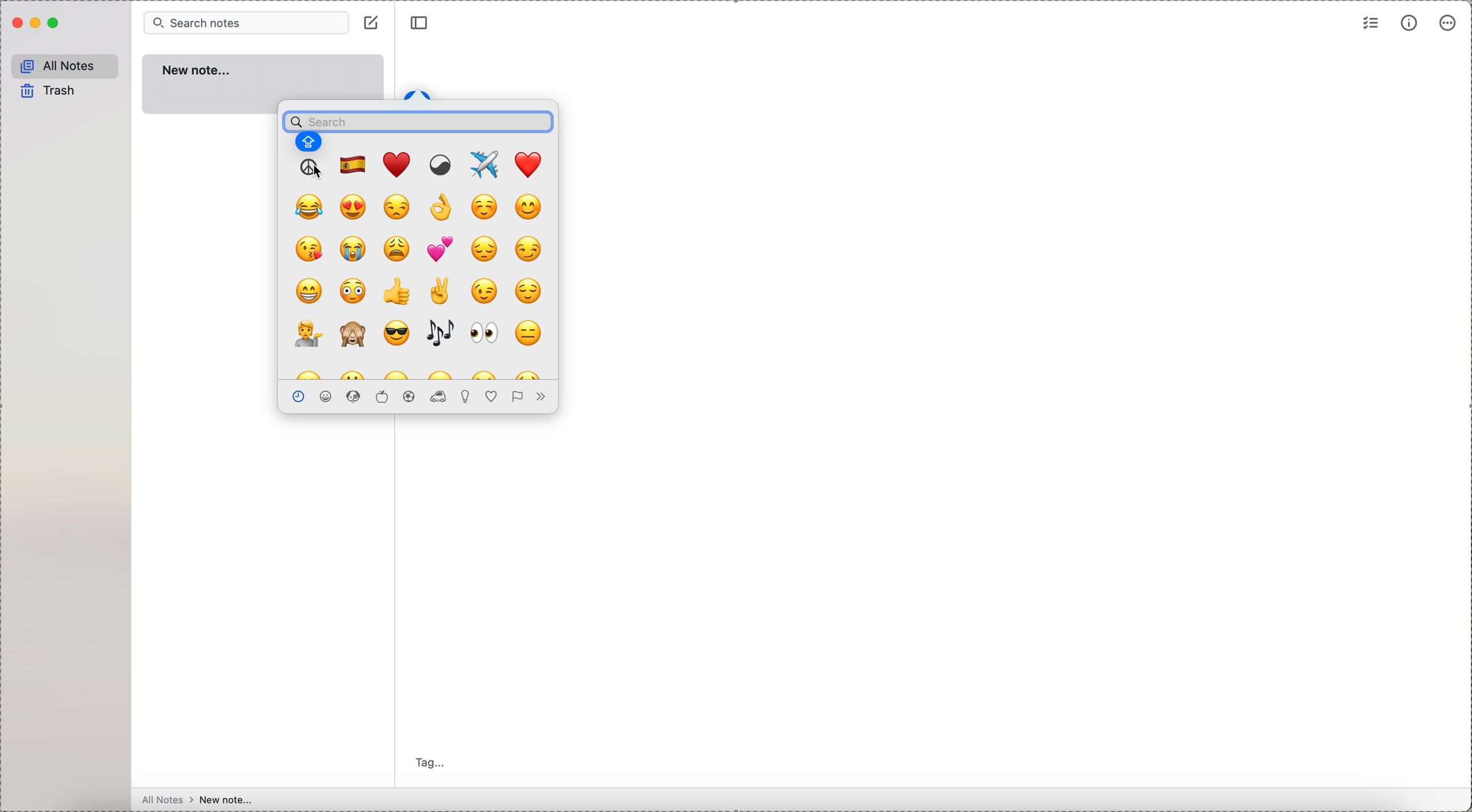 The width and height of the screenshot is (1472, 812). What do you see at coordinates (467, 397) in the screenshot?
I see `emojis` at bounding box center [467, 397].